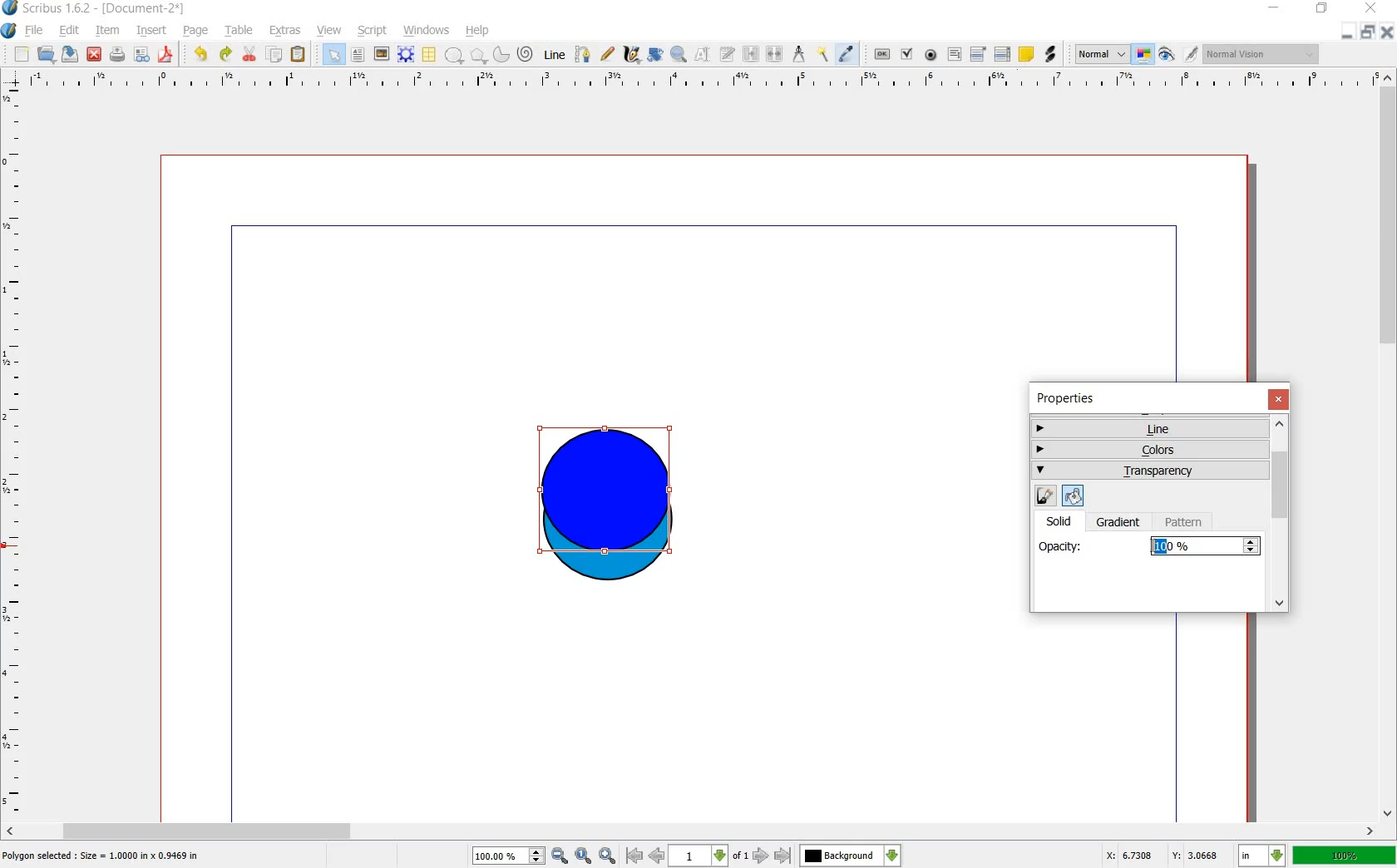  What do you see at coordinates (1346, 33) in the screenshot?
I see `minimize` at bounding box center [1346, 33].